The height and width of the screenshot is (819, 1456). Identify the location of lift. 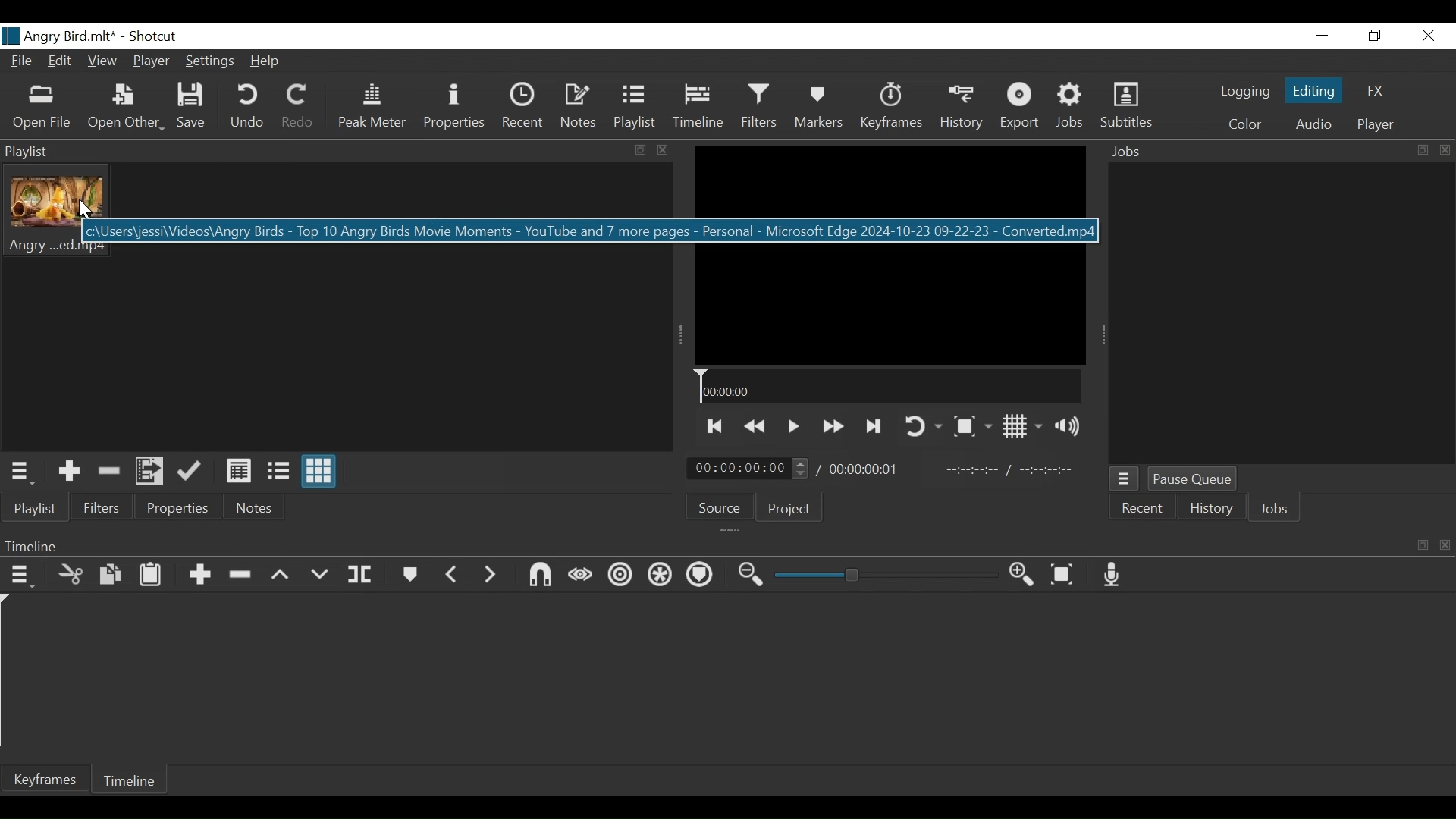
(281, 576).